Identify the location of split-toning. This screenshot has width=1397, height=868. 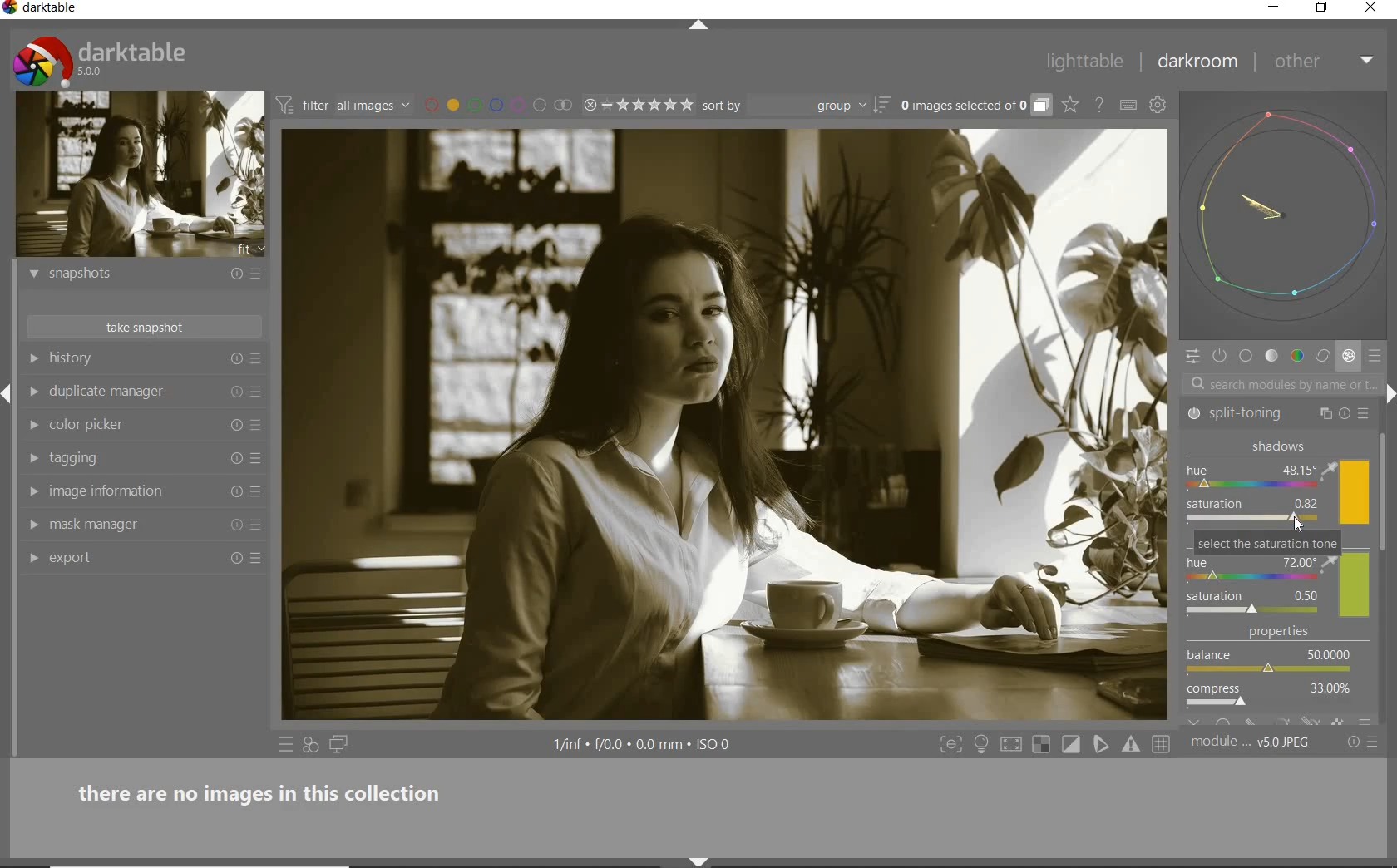
(1253, 413).